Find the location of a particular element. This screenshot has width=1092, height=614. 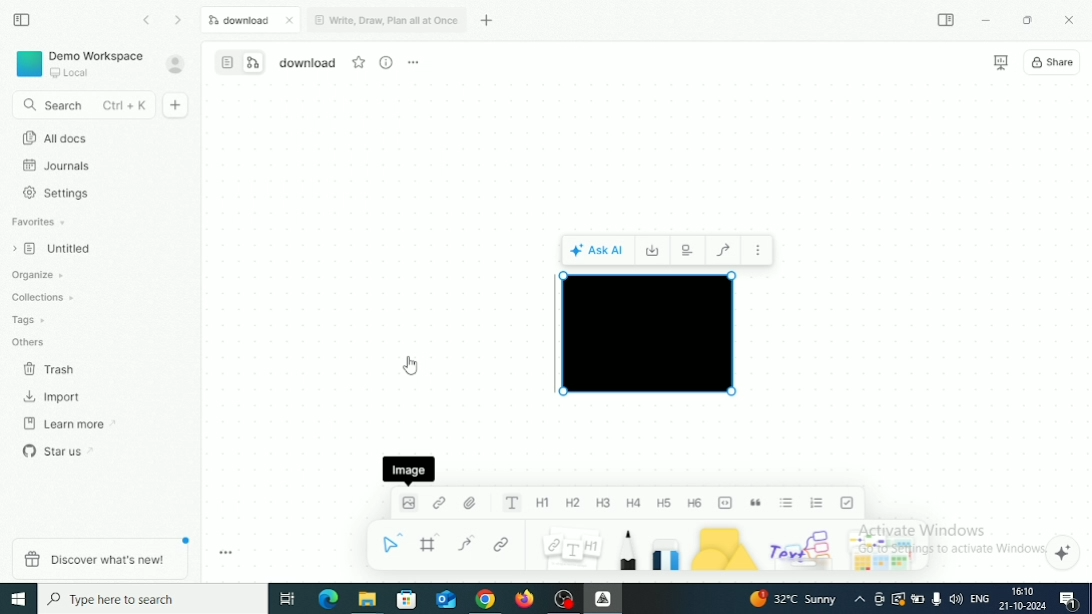

Draw Connector is located at coordinates (724, 250).